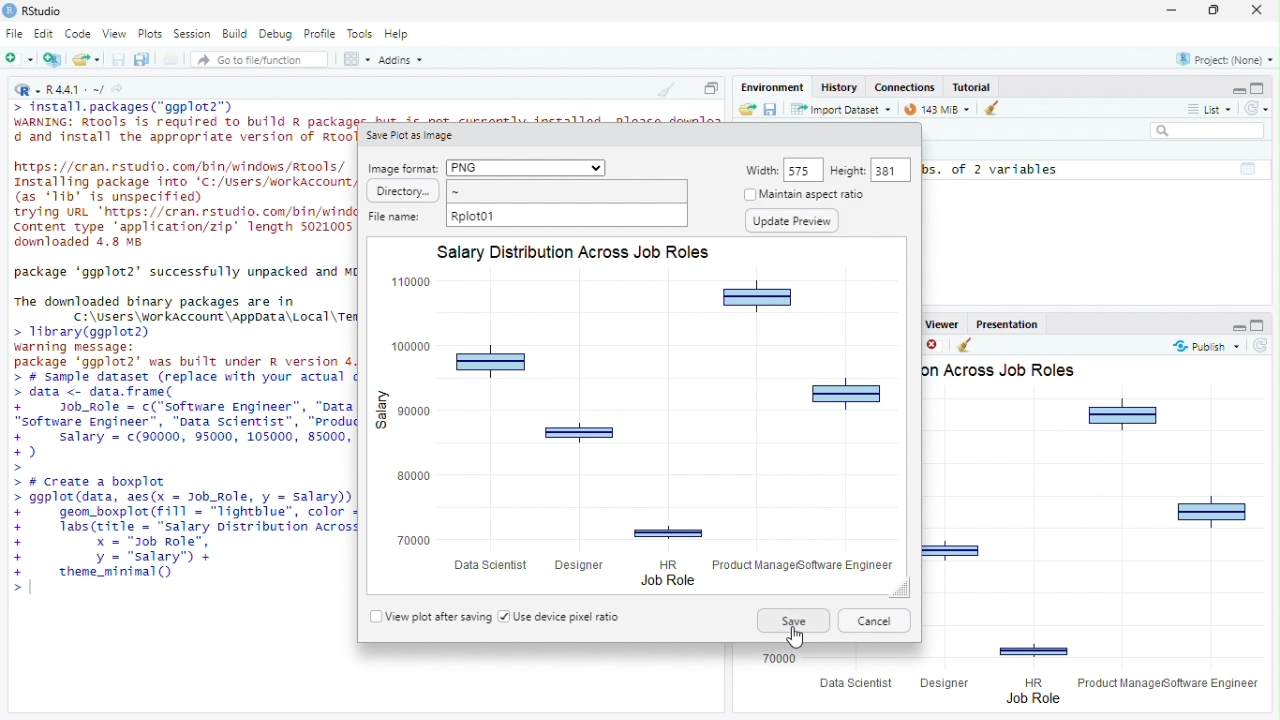 The image size is (1280, 720). I want to click on Update preview, so click(790, 221).